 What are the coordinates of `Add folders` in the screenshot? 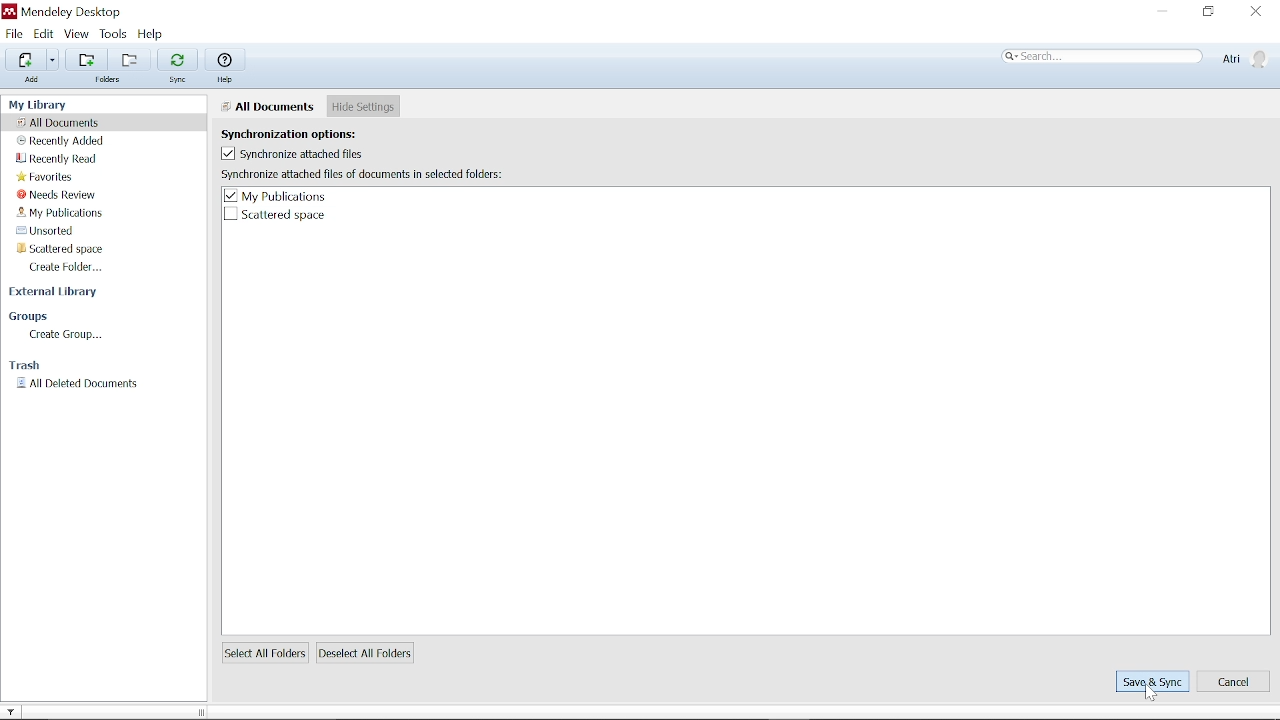 It's located at (126, 60).